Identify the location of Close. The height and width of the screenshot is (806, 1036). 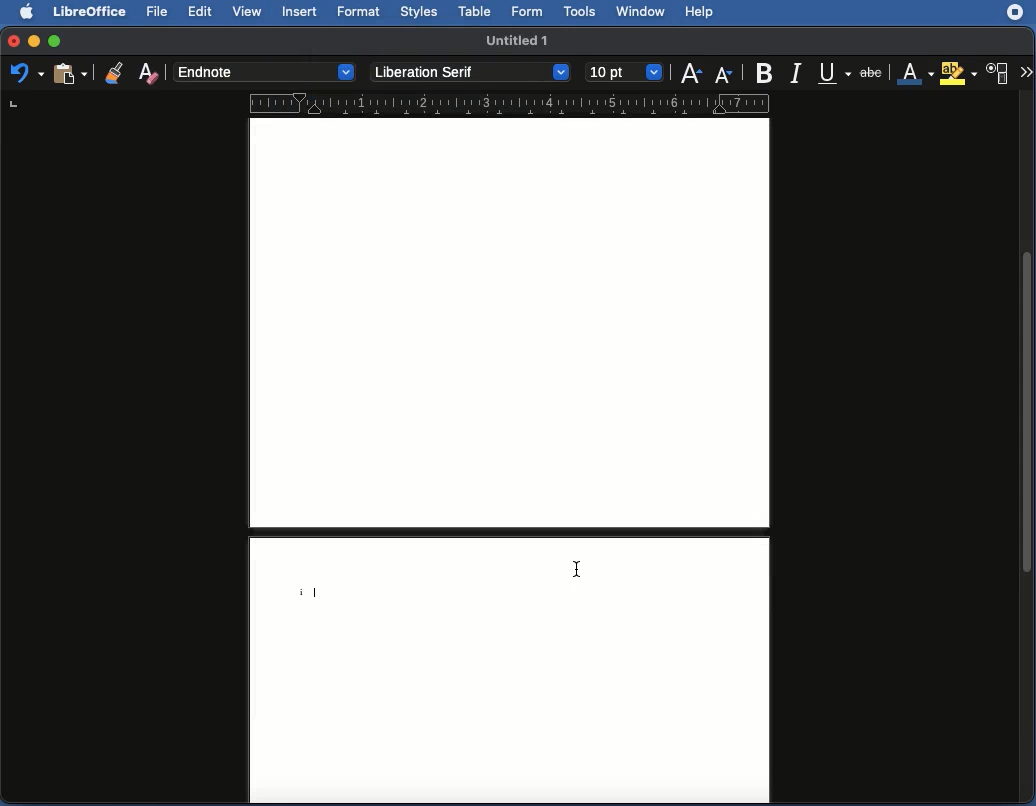
(10, 41).